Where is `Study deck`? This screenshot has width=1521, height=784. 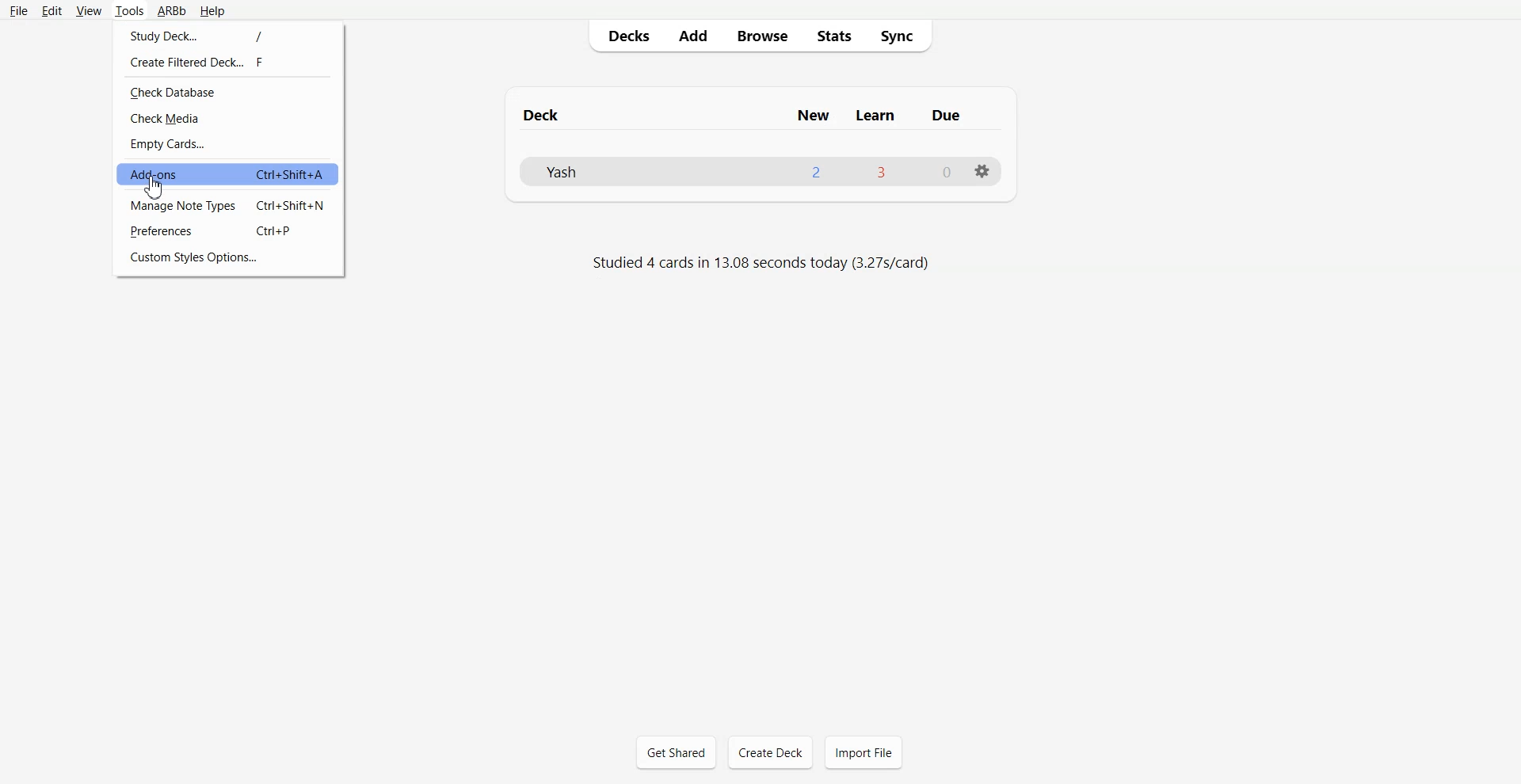
Study deck is located at coordinates (227, 33).